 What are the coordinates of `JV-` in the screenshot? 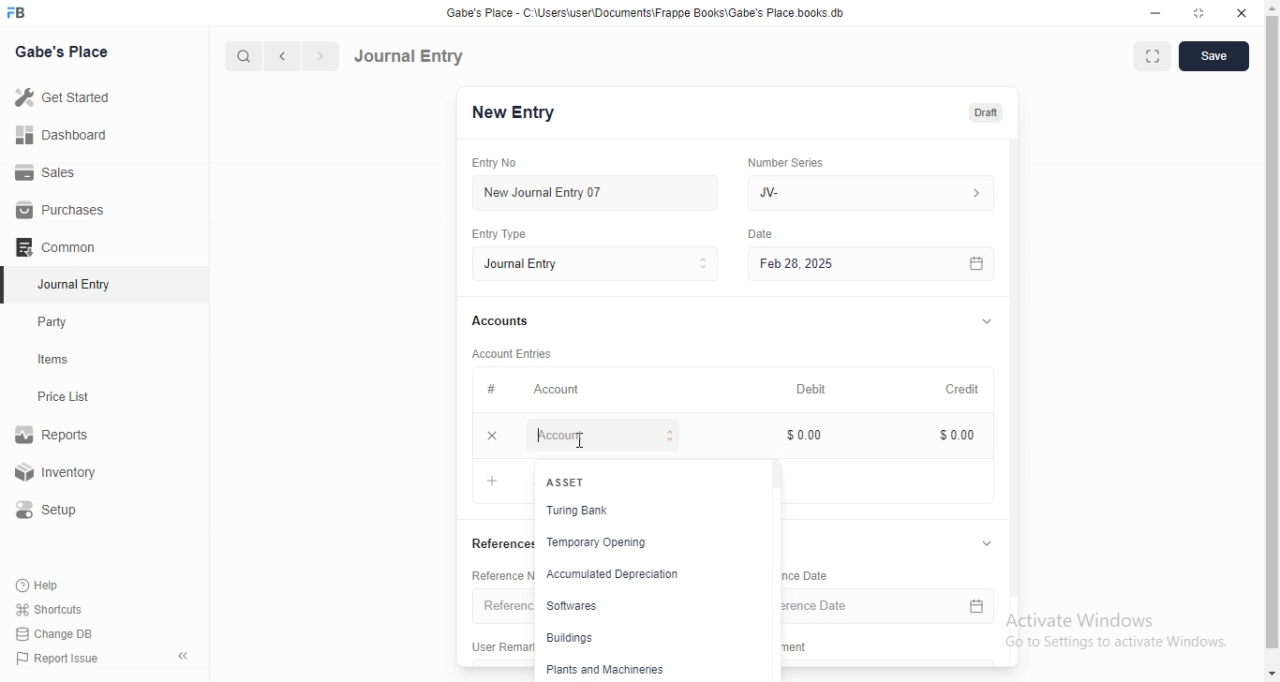 It's located at (878, 193).